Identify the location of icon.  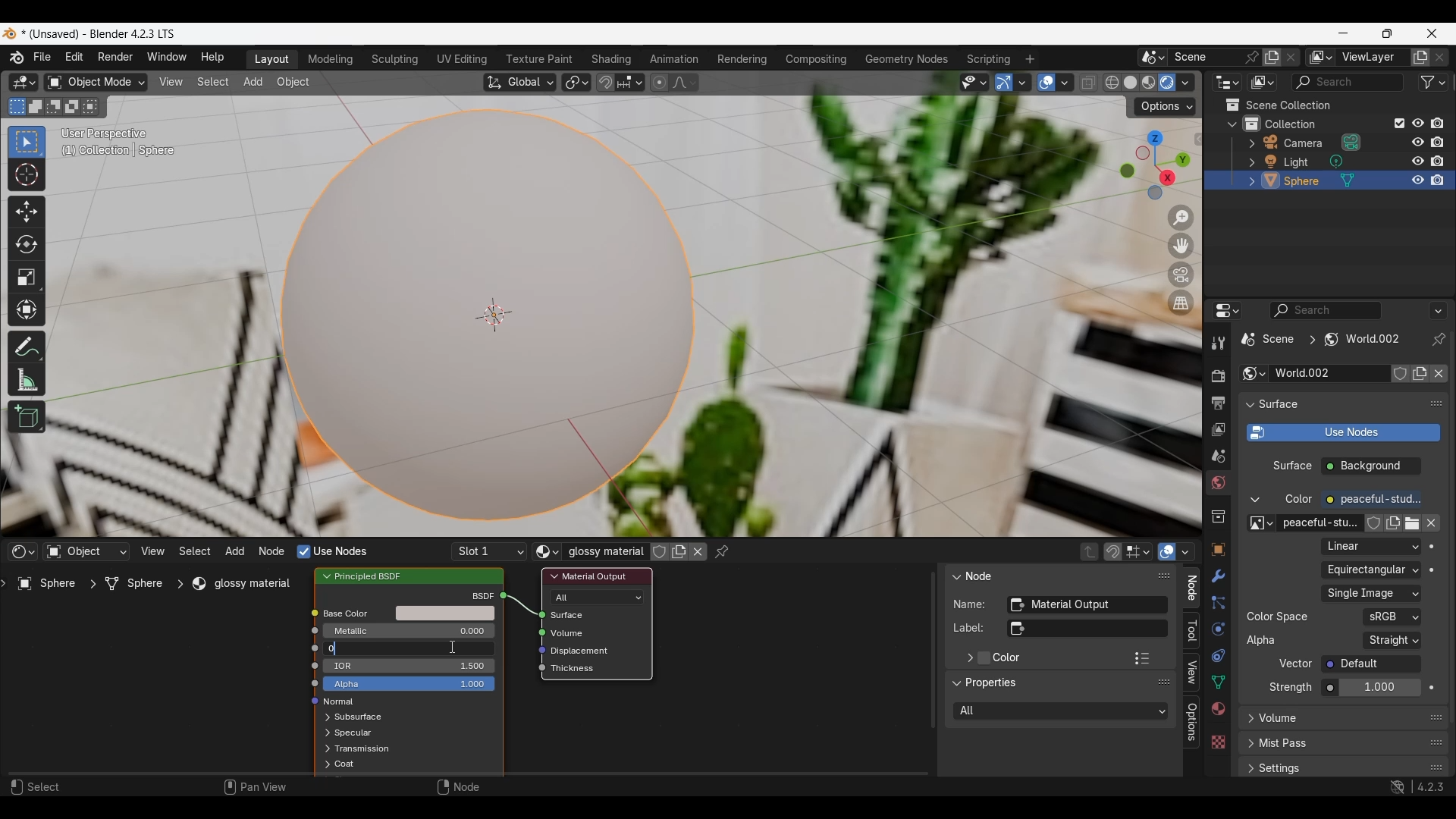
(532, 615).